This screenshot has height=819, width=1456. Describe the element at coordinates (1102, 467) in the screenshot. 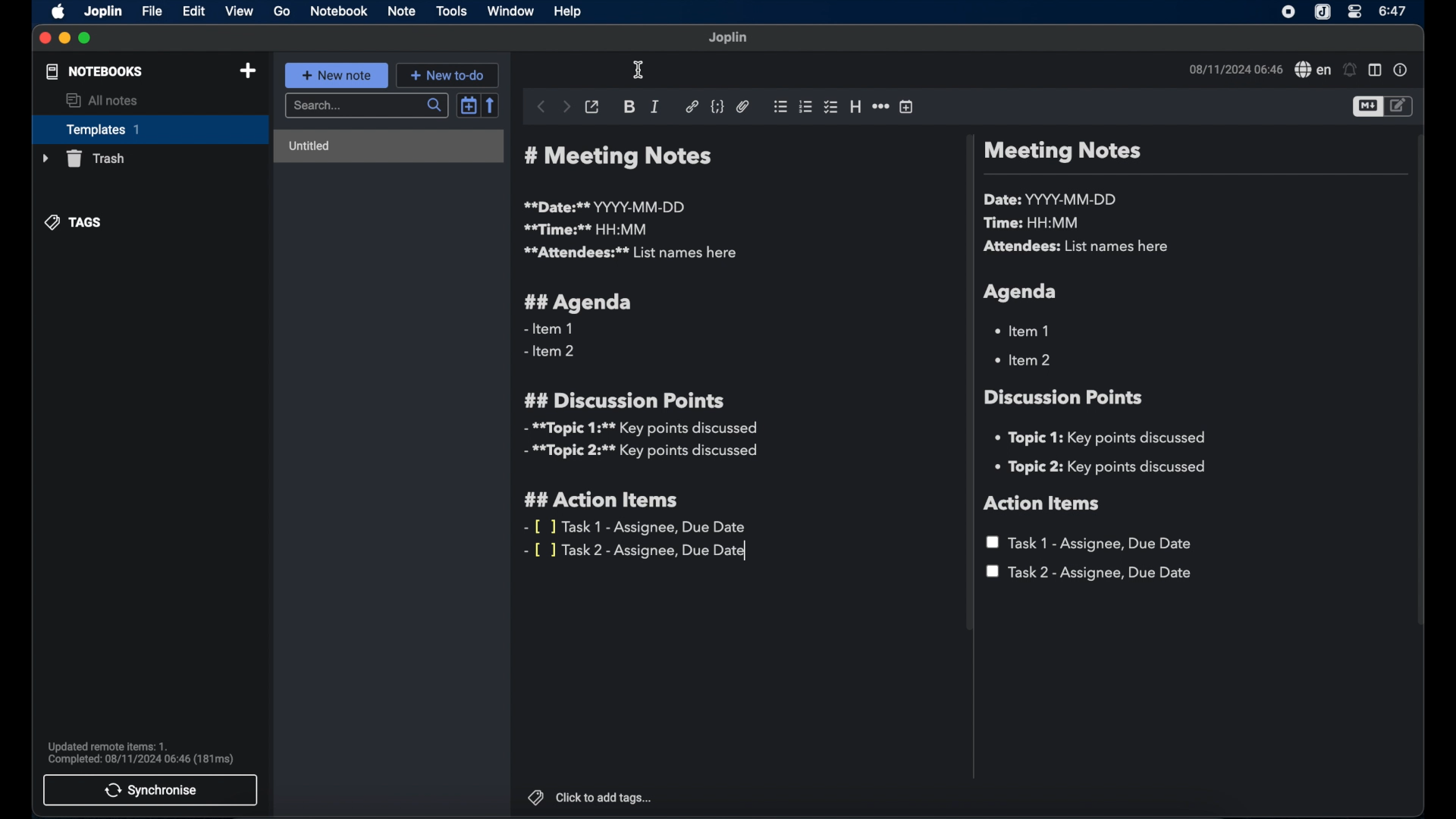

I see `topic 2: key points discussed` at that location.